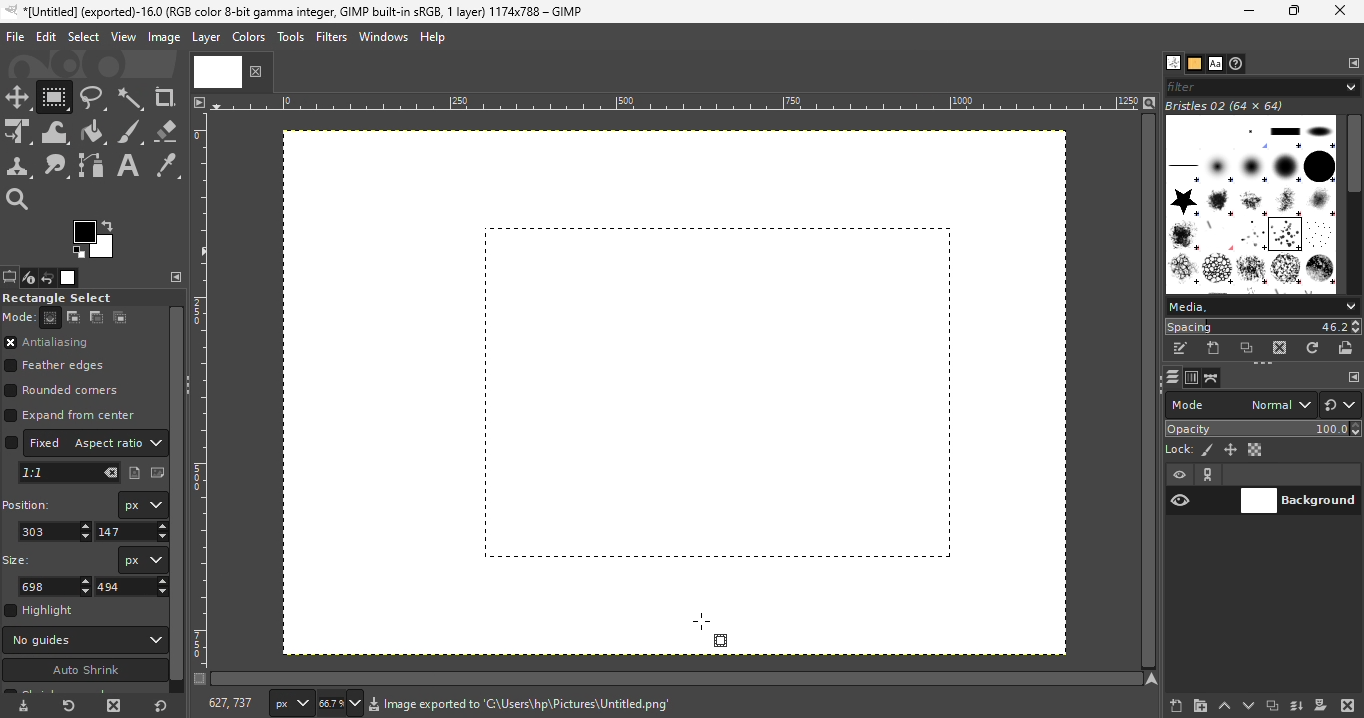 The width and height of the screenshot is (1364, 718). I want to click on Brushes, so click(1169, 63).